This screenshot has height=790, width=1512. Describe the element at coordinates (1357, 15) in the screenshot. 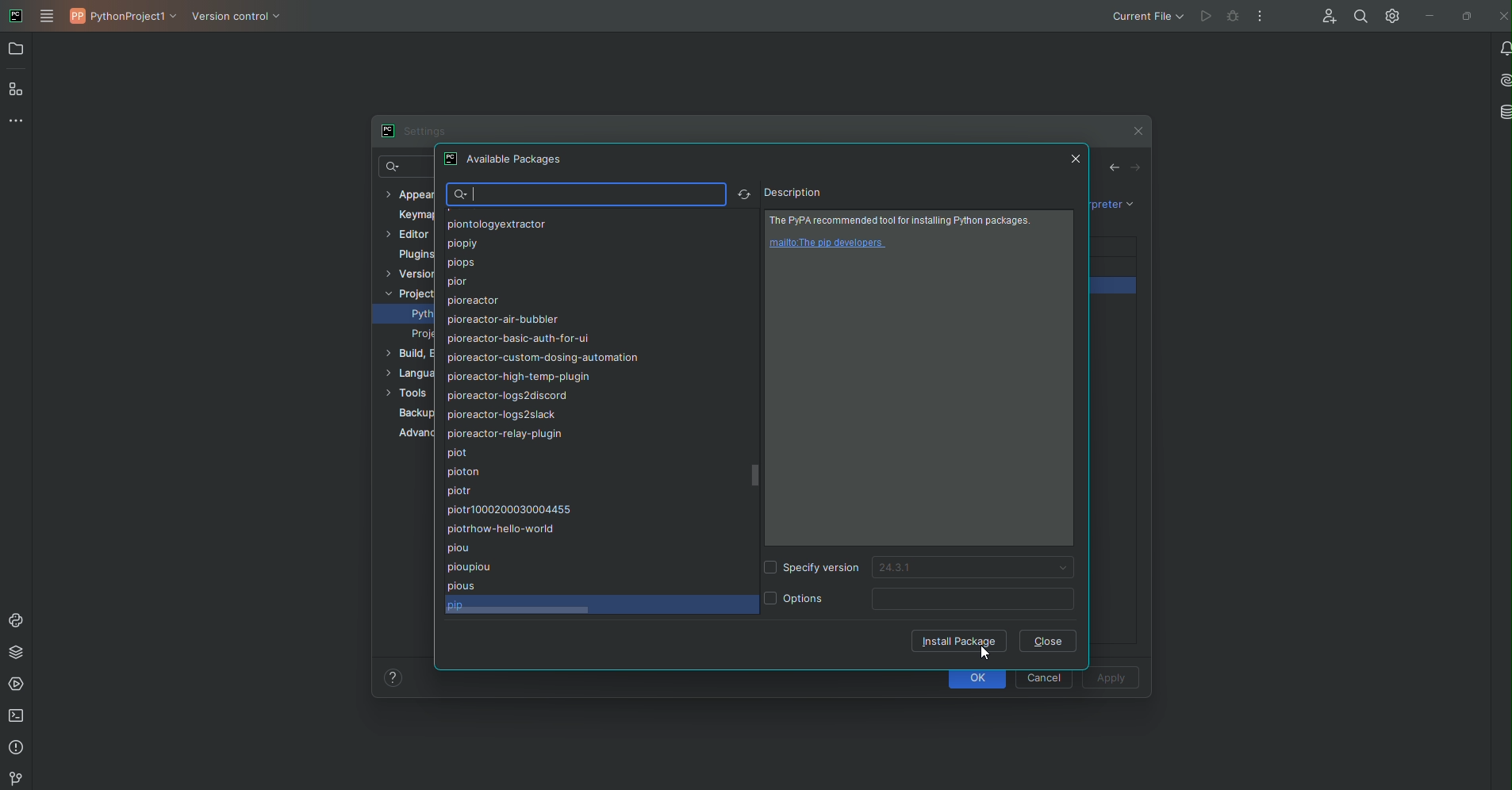

I see `Find` at that location.